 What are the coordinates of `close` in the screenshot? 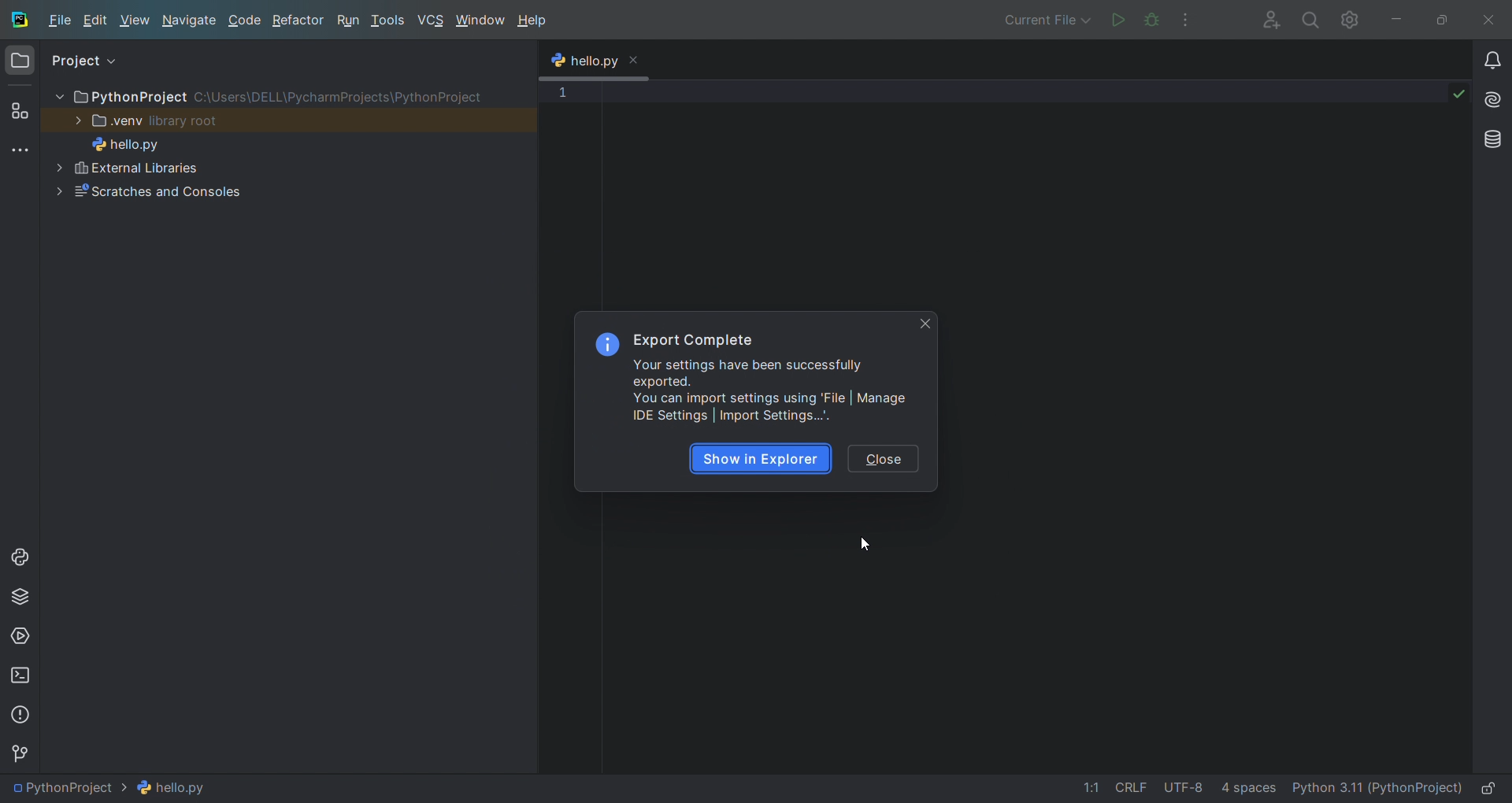 It's located at (635, 58).